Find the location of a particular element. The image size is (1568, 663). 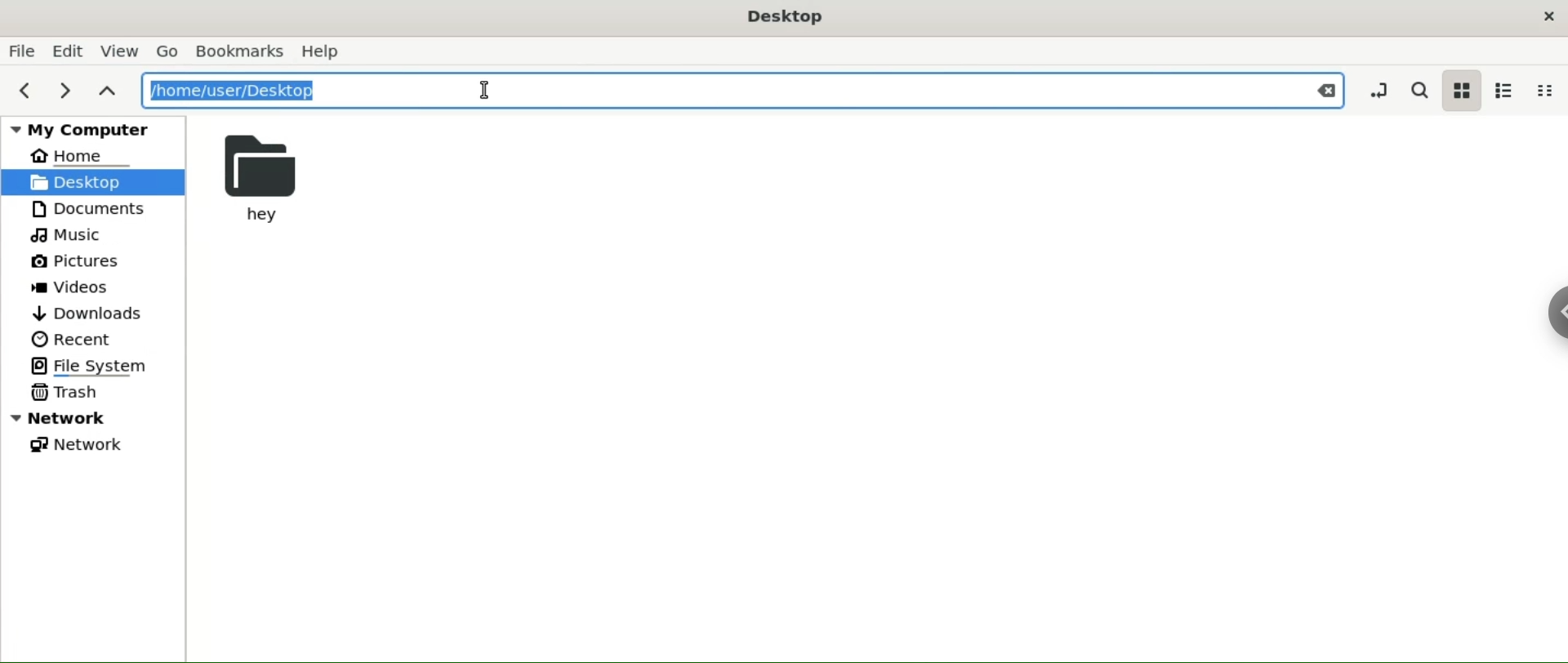

go is located at coordinates (170, 51).